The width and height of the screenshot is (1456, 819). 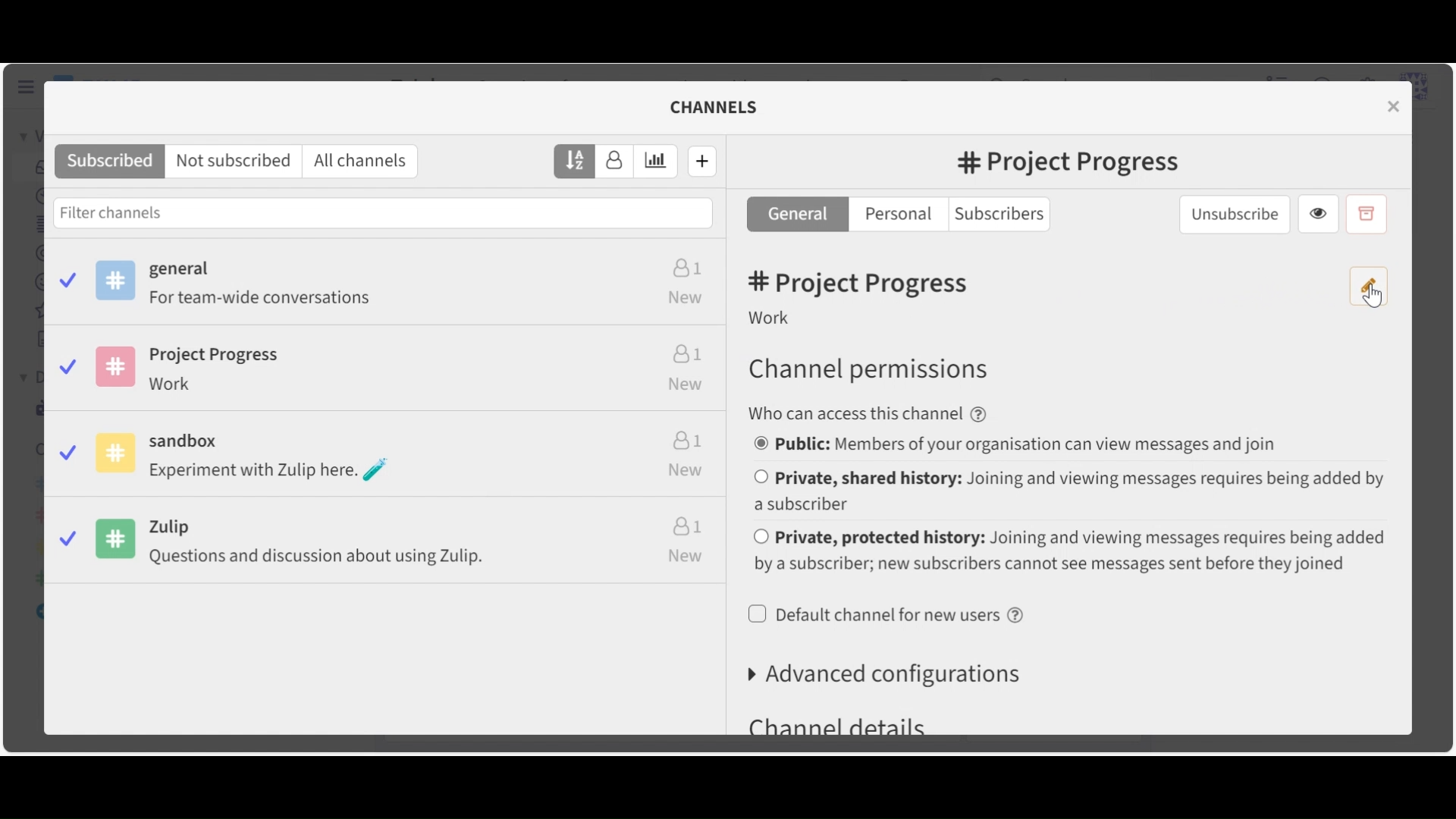 What do you see at coordinates (1072, 552) in the screenshot?
I see `(un)select Private, protected history` at bounding box center [1072, 552].